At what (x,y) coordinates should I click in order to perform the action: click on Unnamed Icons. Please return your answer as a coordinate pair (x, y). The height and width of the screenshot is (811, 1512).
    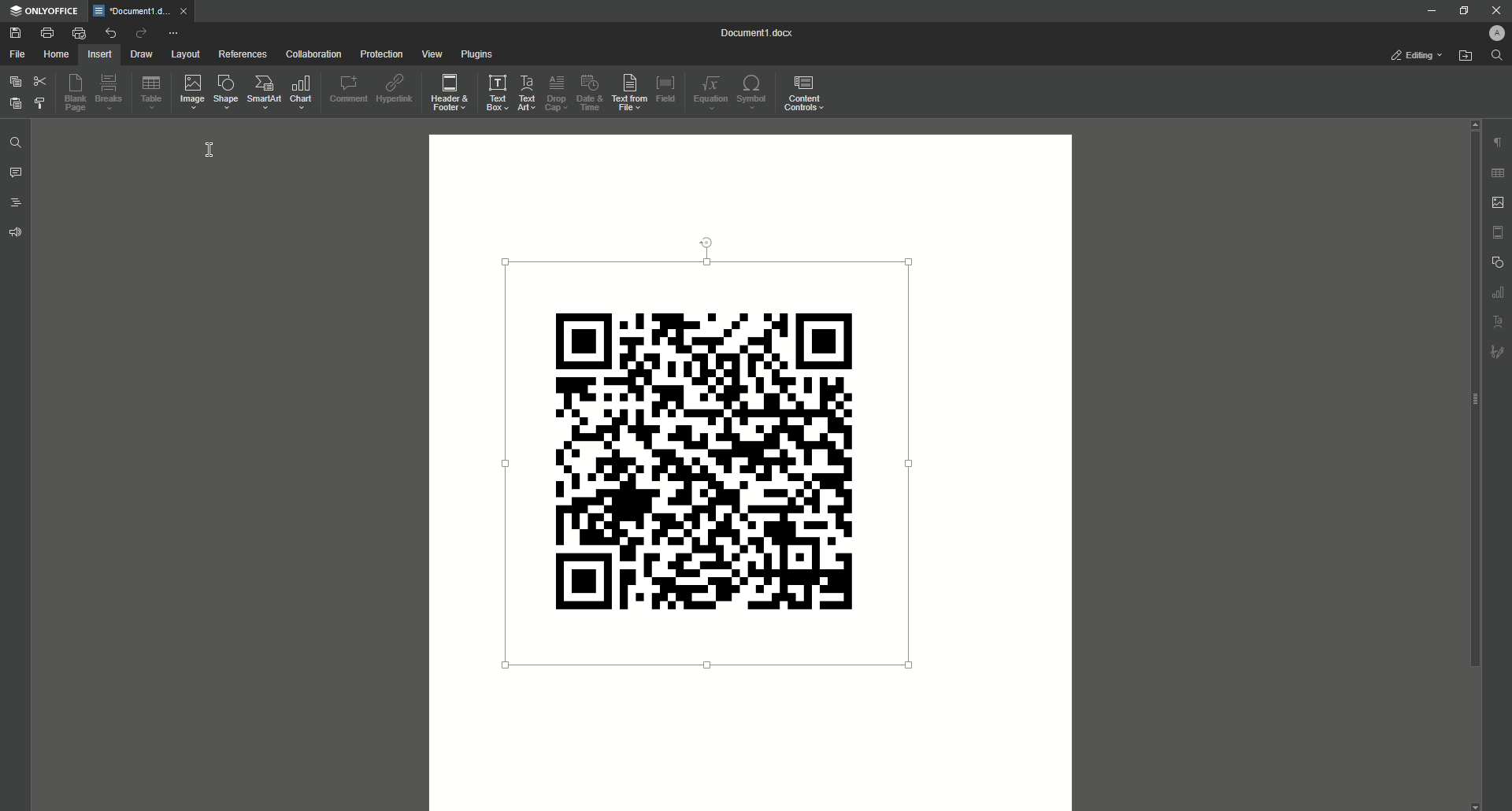
    Looking at the image, I should click on (1499, 261).